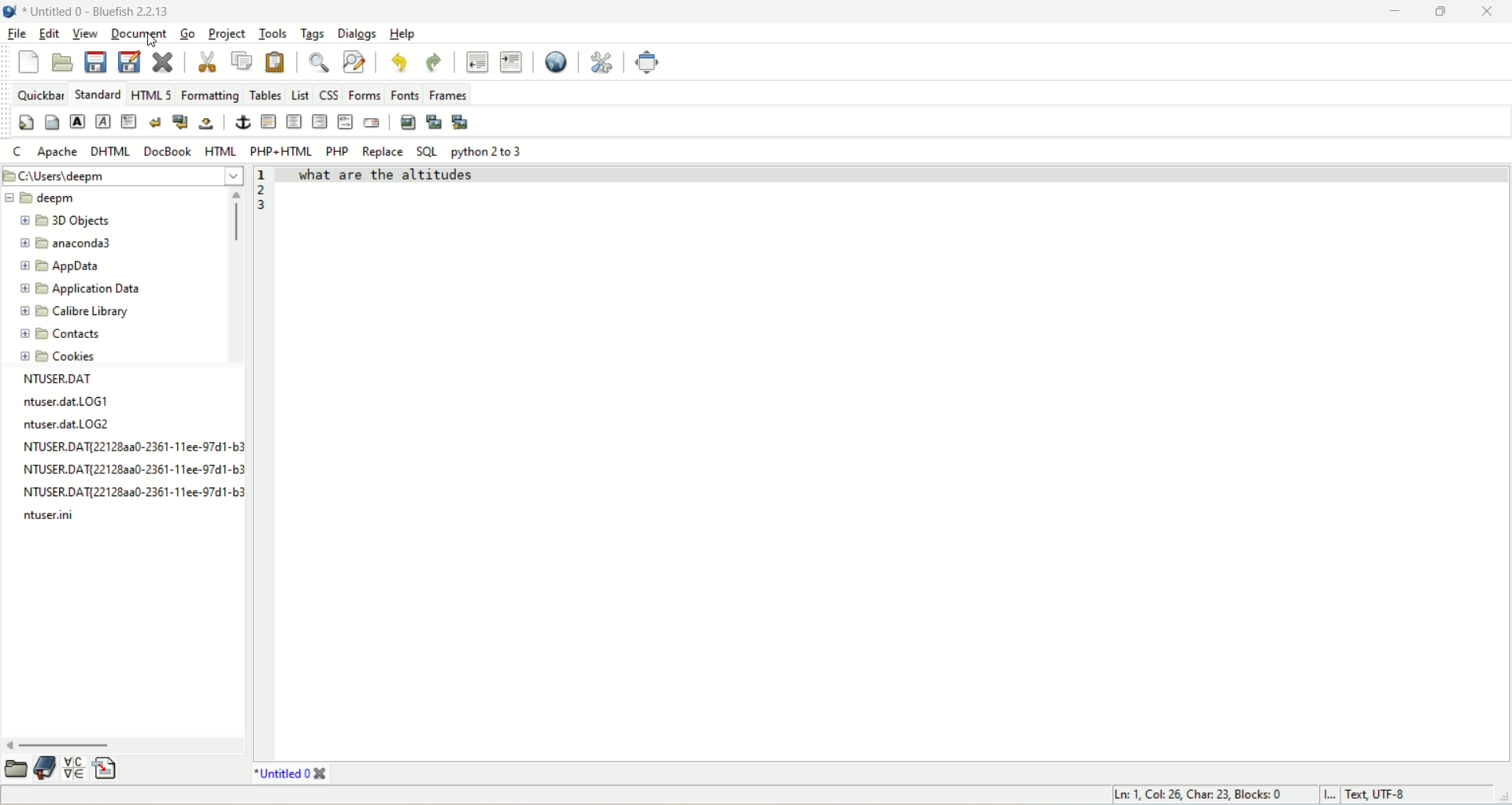  I want to click on minimize, so click(1392, 12).